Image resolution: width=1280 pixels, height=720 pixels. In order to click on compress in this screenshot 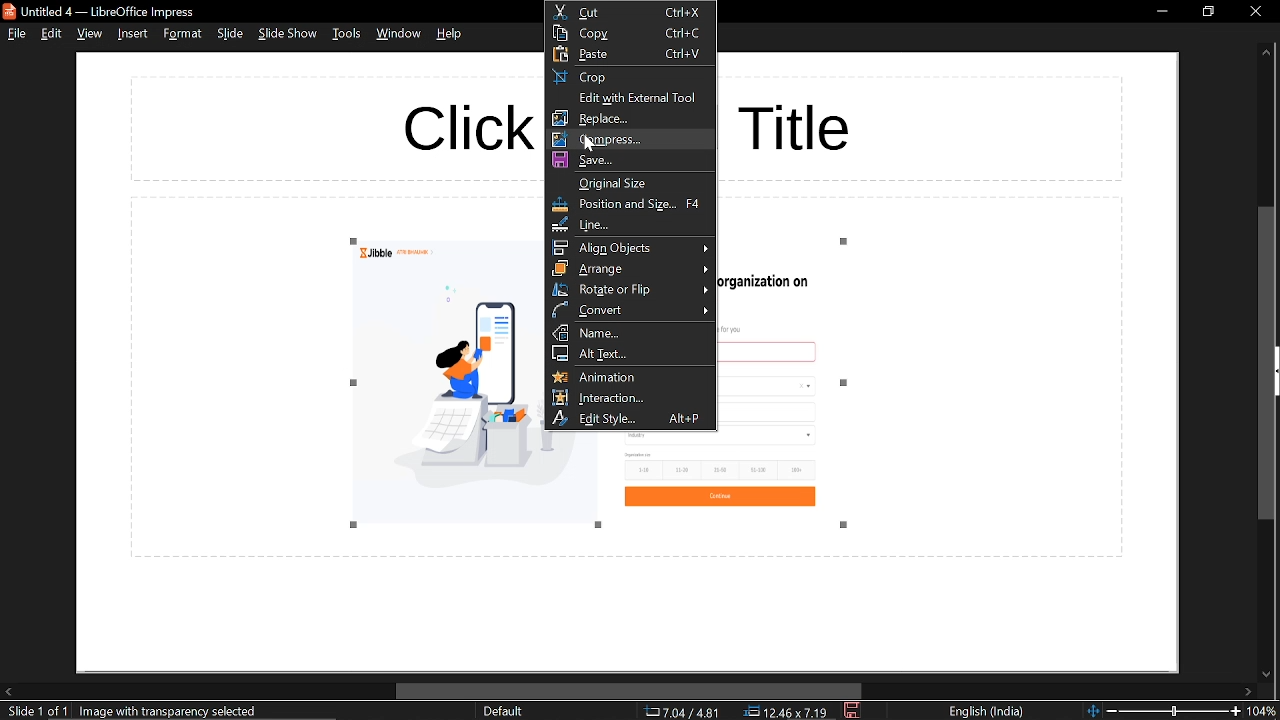, I will do `click(632, 140)`.